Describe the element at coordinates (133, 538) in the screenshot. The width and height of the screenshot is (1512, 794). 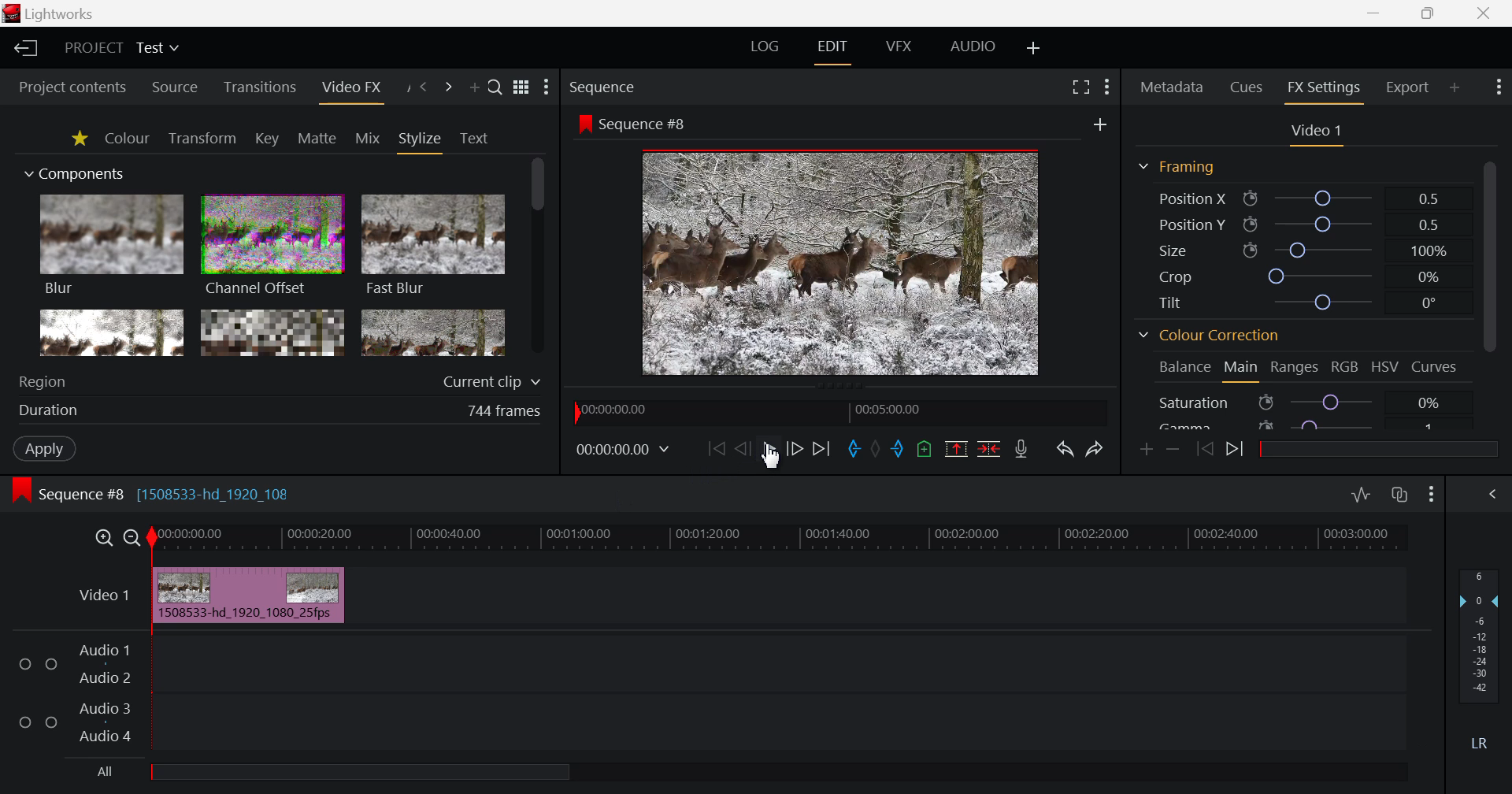
I see `Timeline Zoom Out` at that location.